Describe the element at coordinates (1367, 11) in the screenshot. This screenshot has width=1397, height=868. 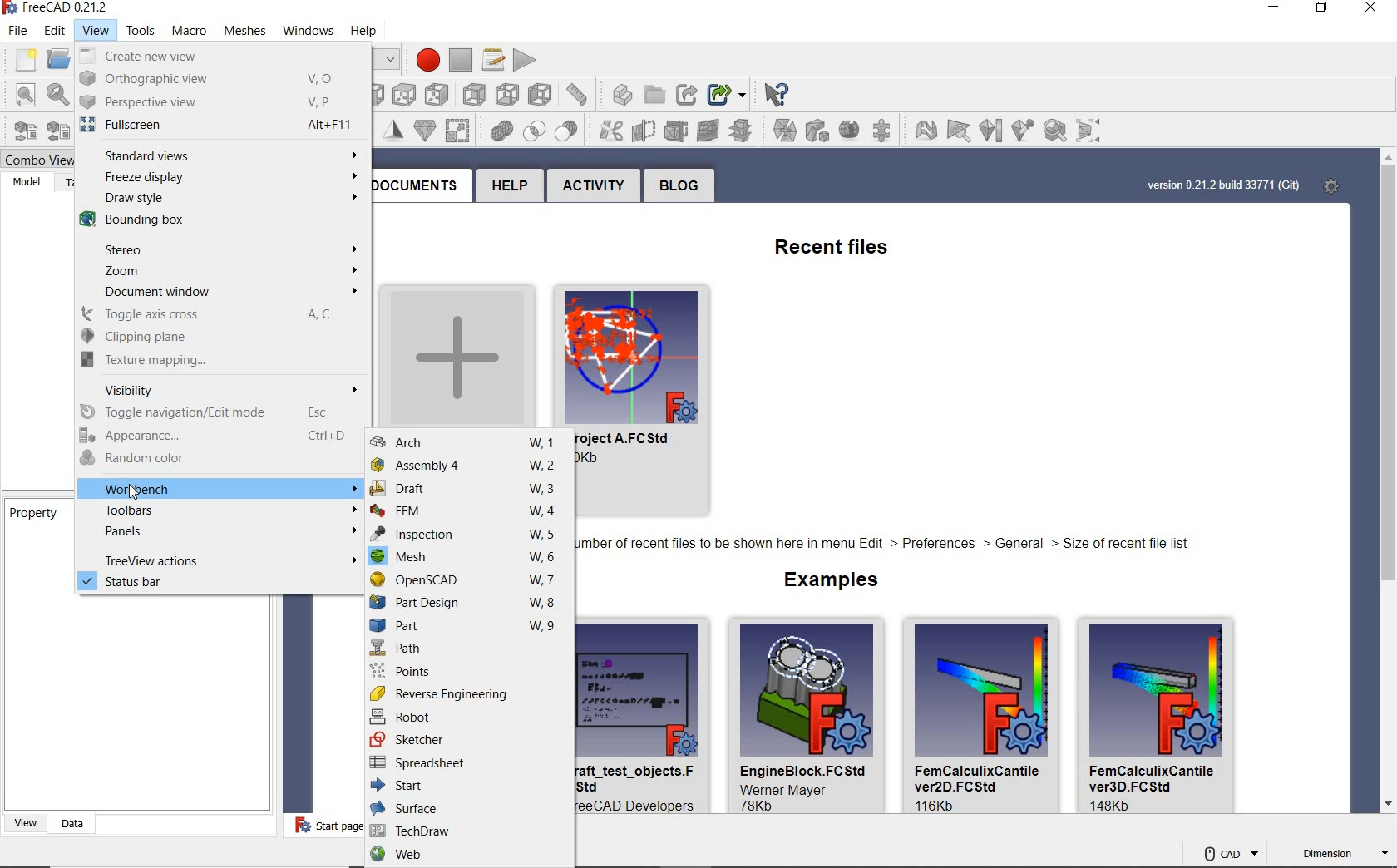
I see `close` at that location.